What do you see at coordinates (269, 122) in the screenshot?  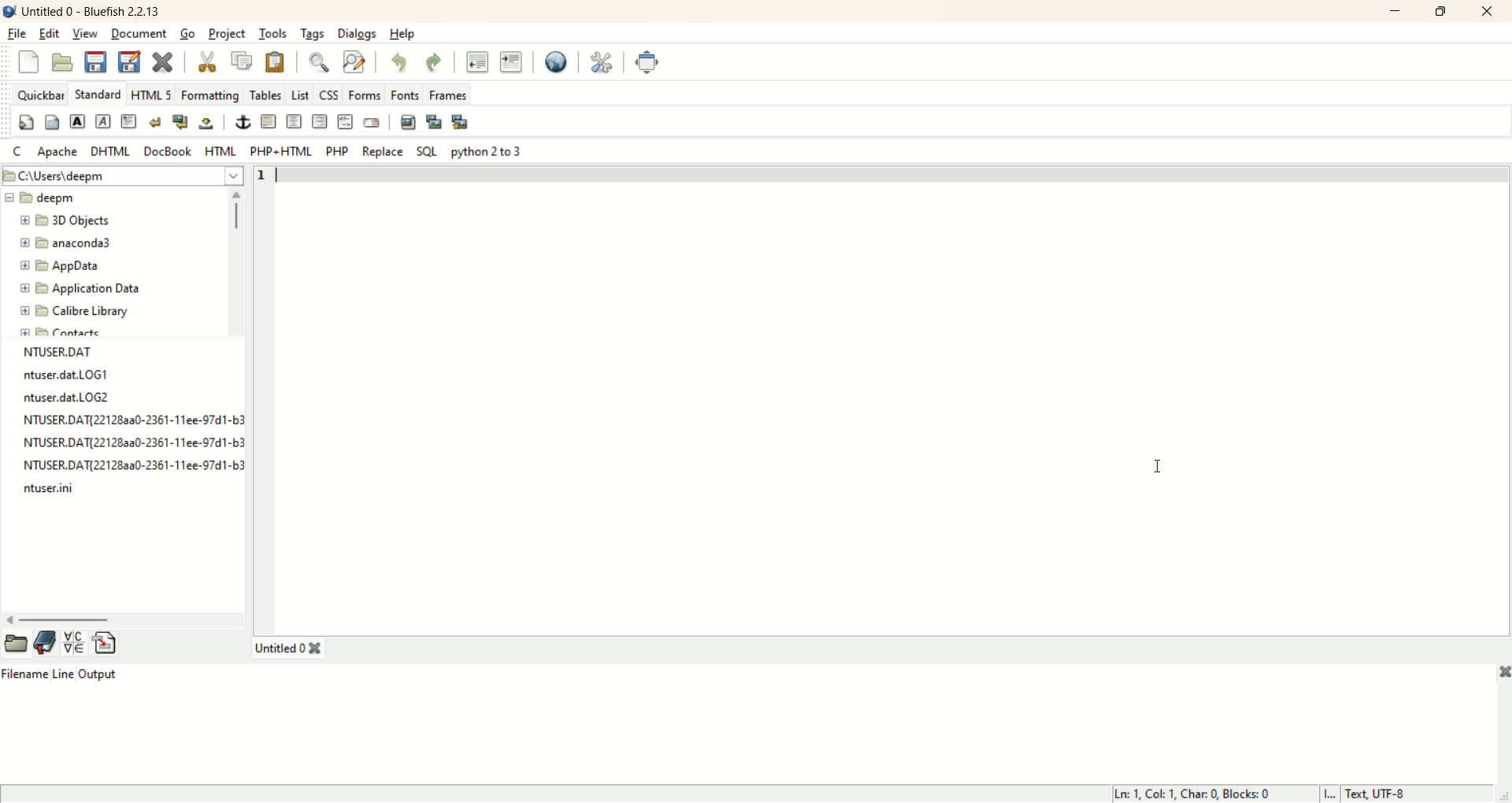 I see `horizontal rule` at bounding box center [269, 122].